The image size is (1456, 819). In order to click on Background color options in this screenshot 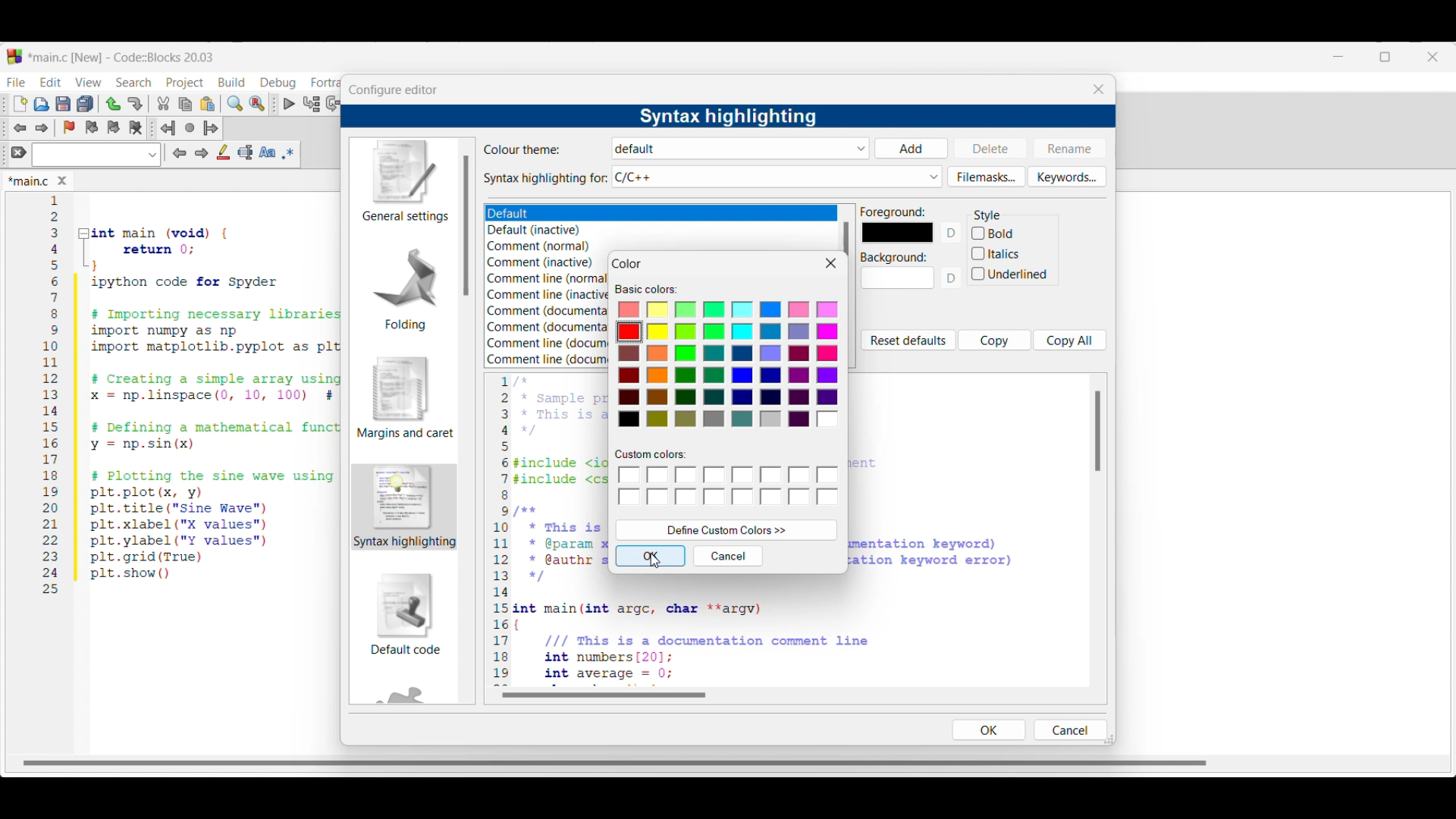, I will do `click(898, 281)`.